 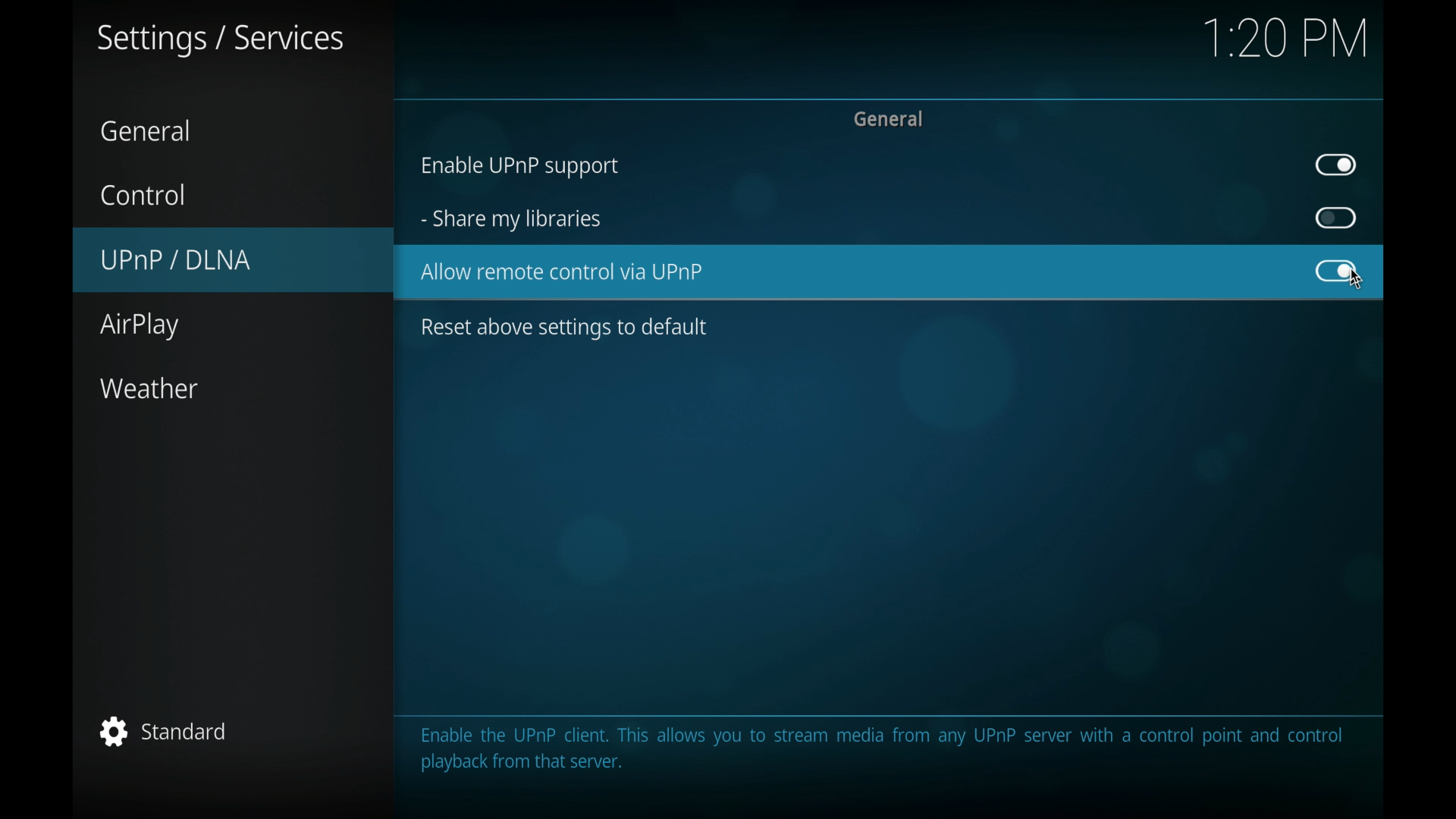 What do you see at coordinates (1356, 284) in the screenshot?
I see `cursor` at bounding box center [1356, 284].